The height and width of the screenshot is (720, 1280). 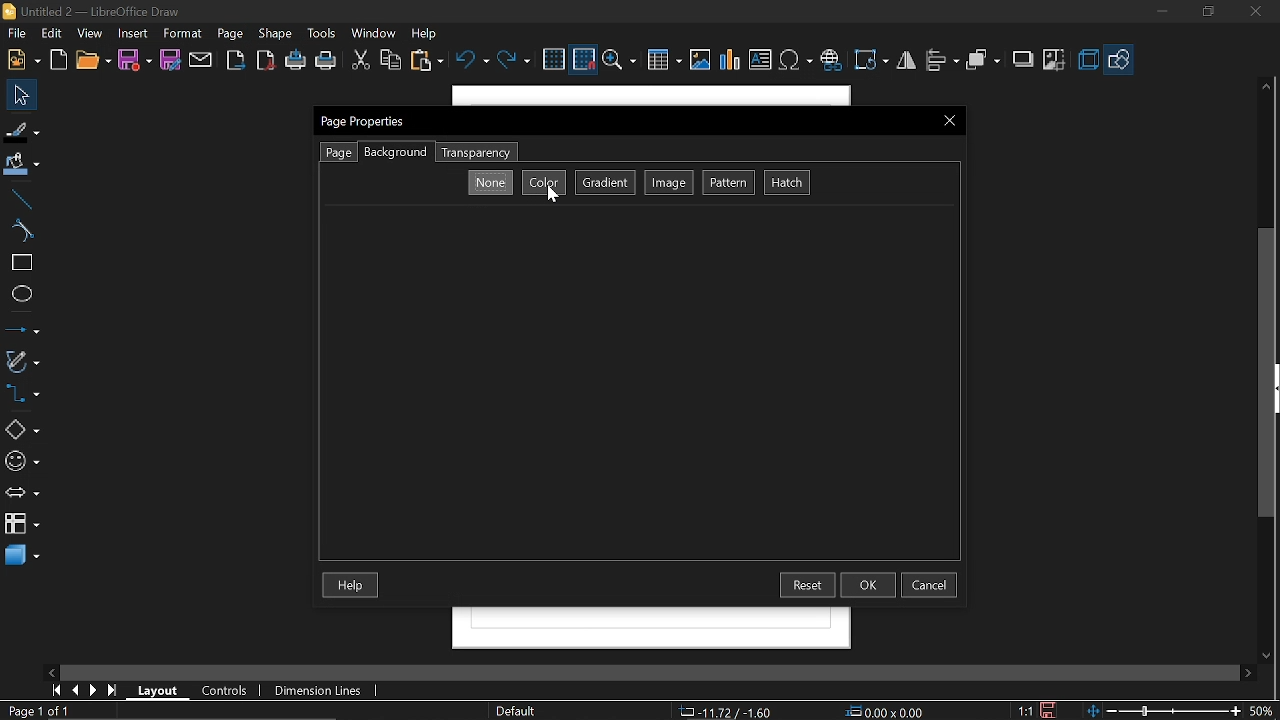 What do you see at coordinates (22, 364) in the screenshot?
I see `Curves and polygons` at bounding box center [22, 364].